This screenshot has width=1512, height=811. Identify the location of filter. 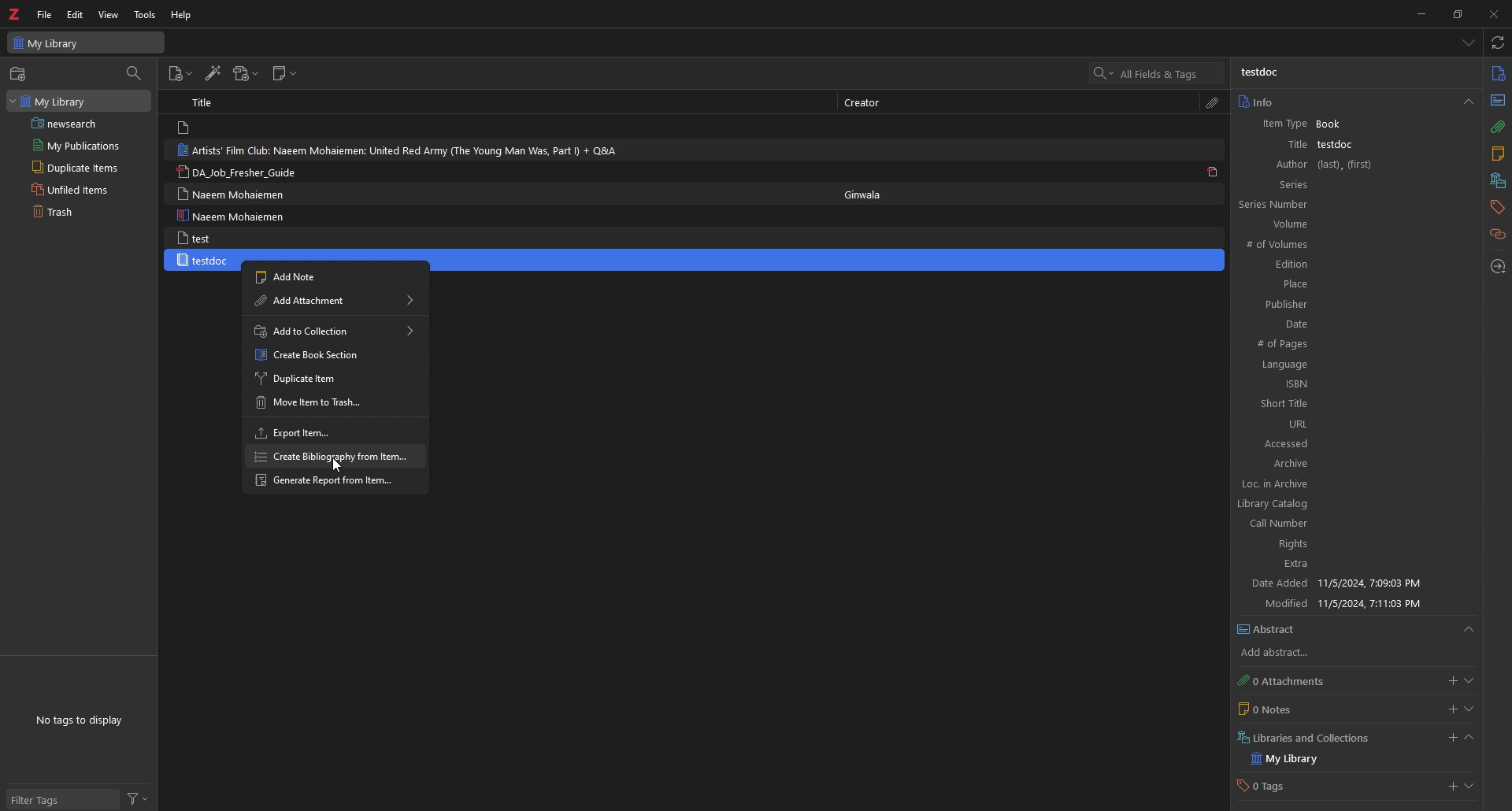
(138, 799).